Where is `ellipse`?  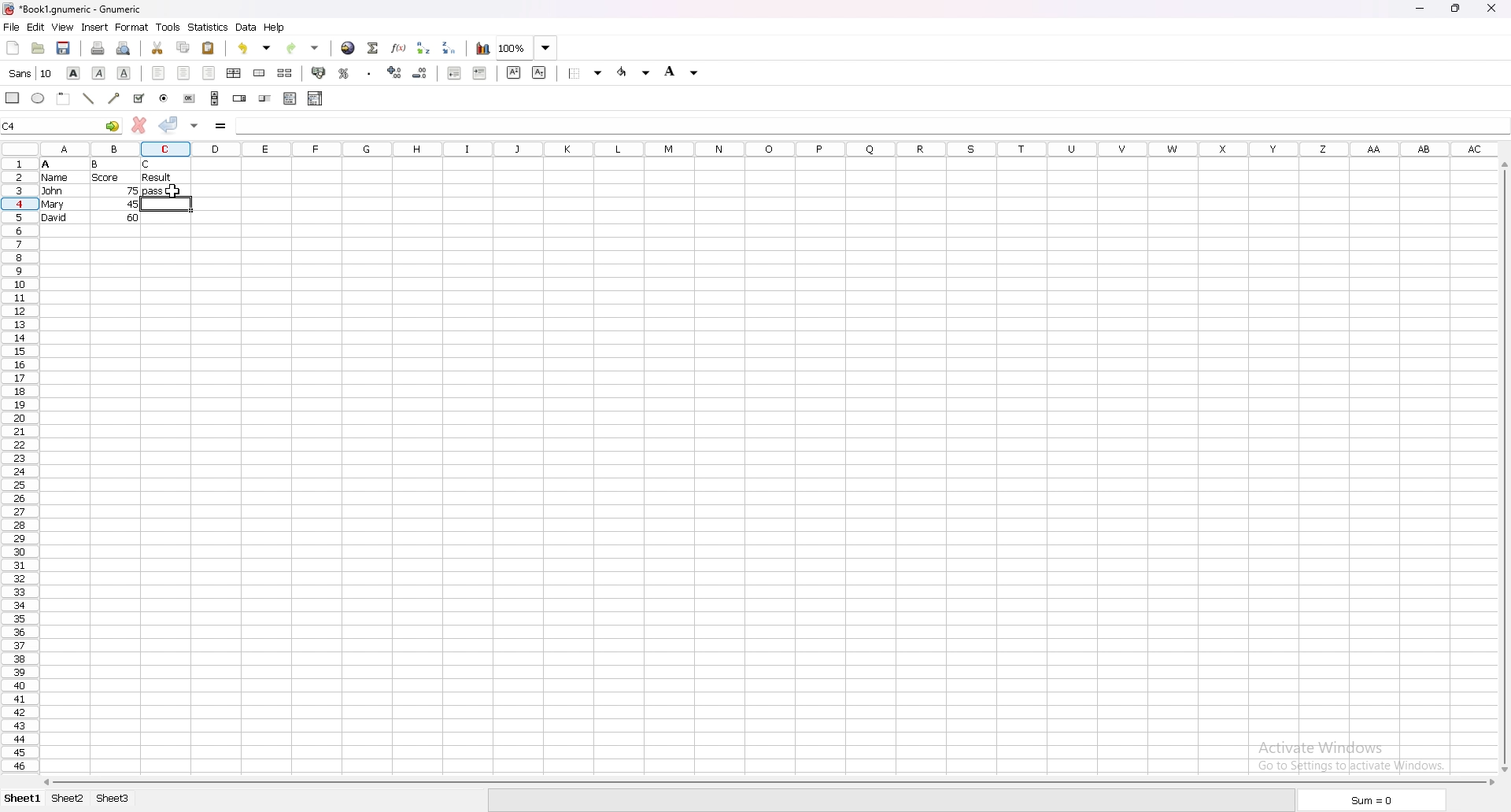 ellipse is located at coordinates (39, 98).